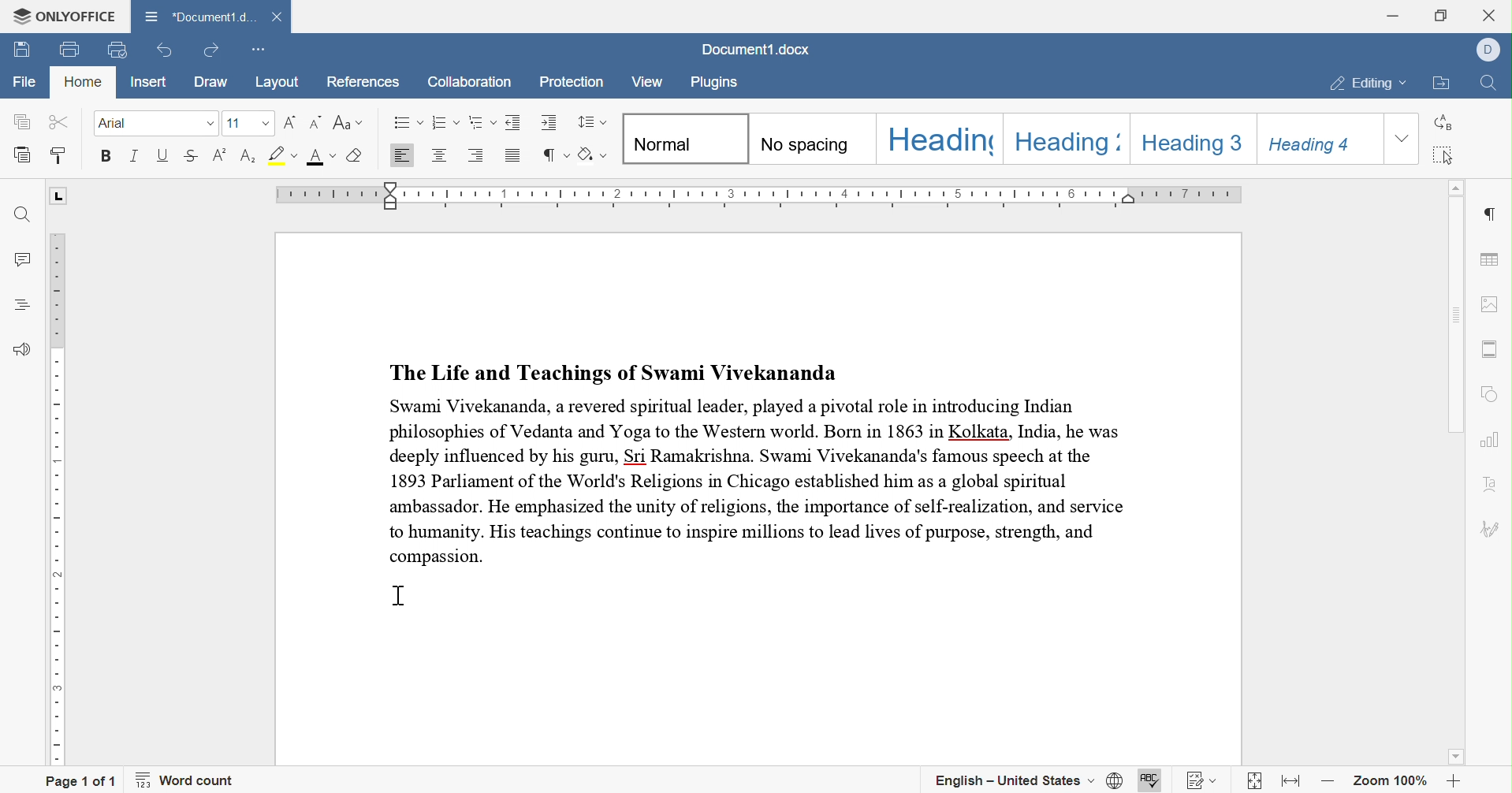 This screenshot has height=793, width=1512. What do you see at coordinates (1452, 315) in the screenshot?
I see `scroll bar` at bounding box center [1452, 315].